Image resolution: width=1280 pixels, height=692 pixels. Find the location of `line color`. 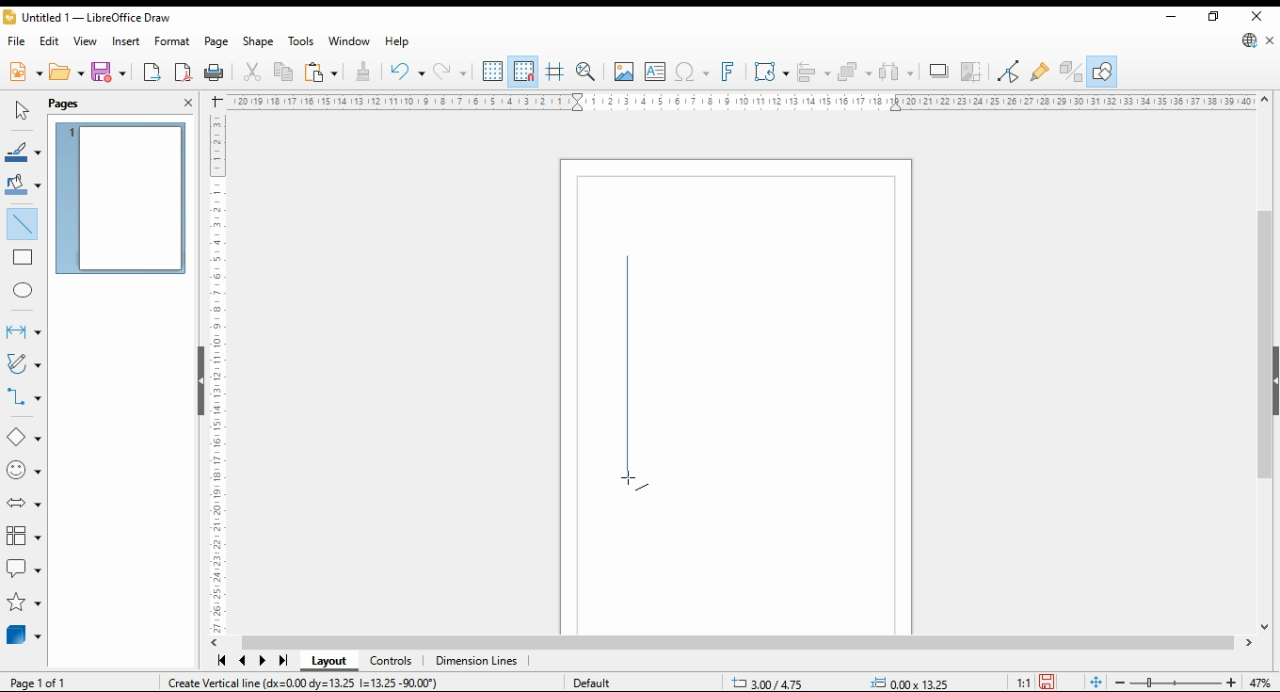

line color is located at coordinates (24, 152).